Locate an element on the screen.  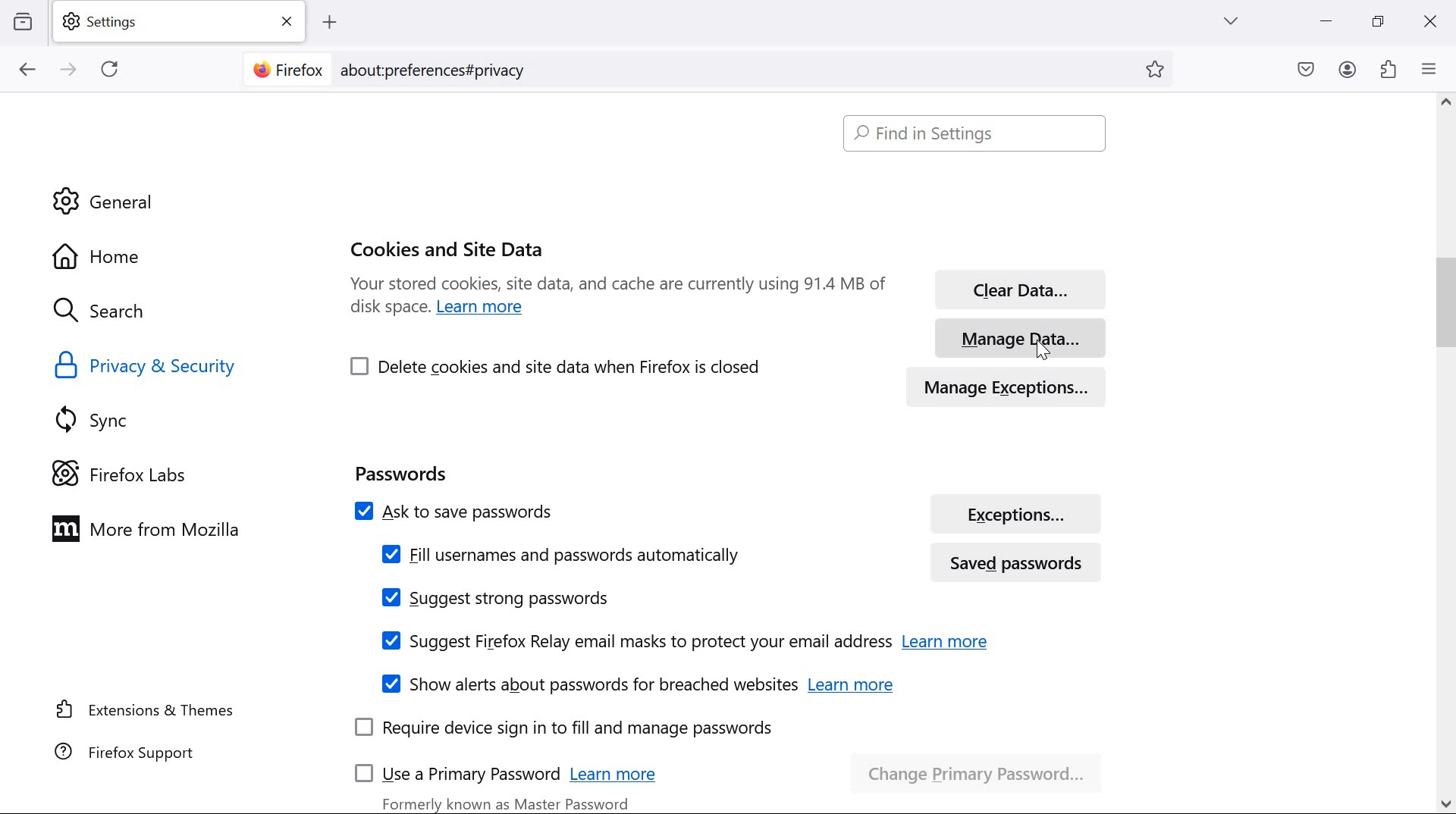
Privacy & security is located at coordinates (149, 366).